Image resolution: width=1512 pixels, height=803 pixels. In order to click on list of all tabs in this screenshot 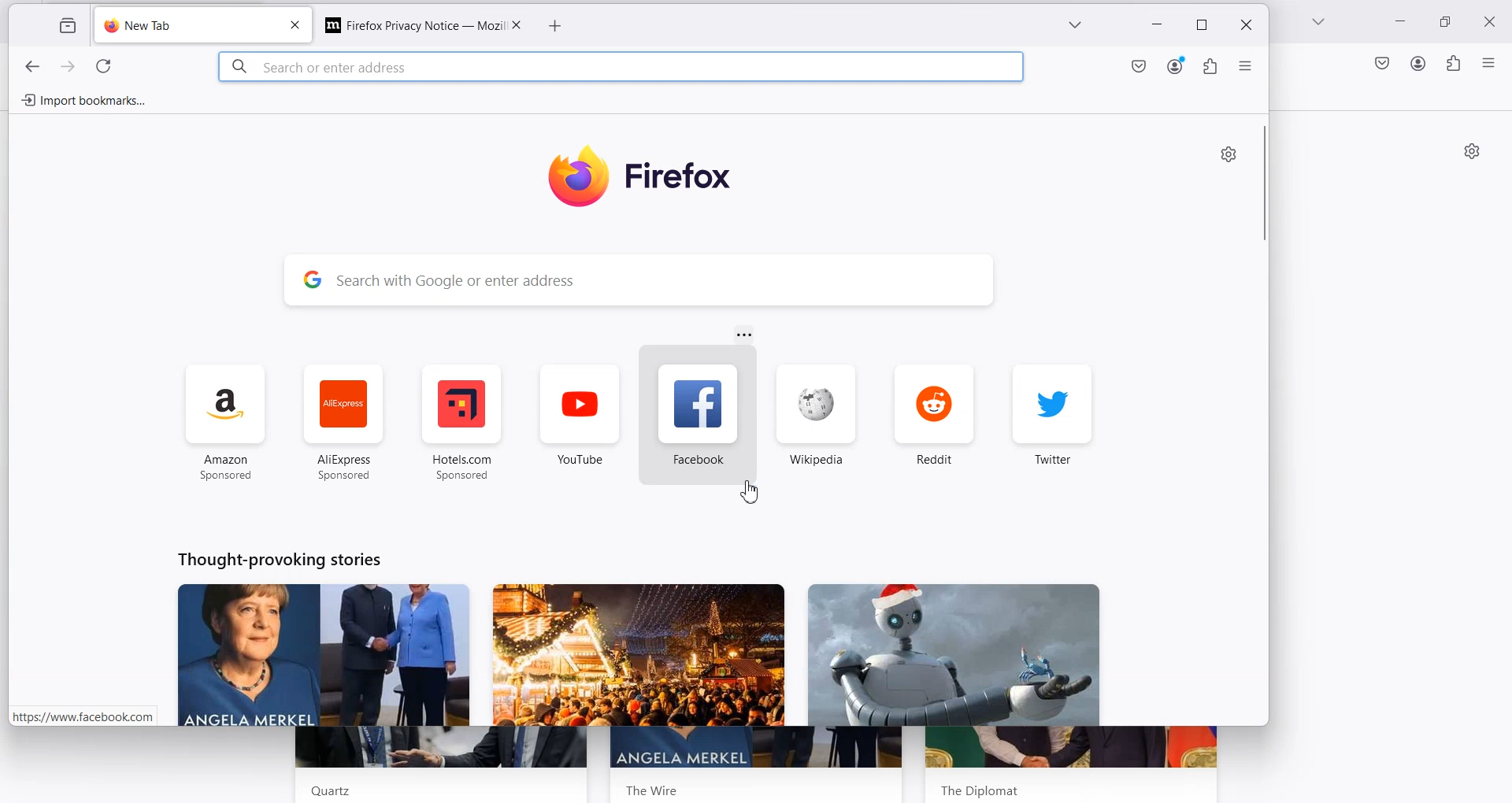, I will do `click(1073, 28)`.